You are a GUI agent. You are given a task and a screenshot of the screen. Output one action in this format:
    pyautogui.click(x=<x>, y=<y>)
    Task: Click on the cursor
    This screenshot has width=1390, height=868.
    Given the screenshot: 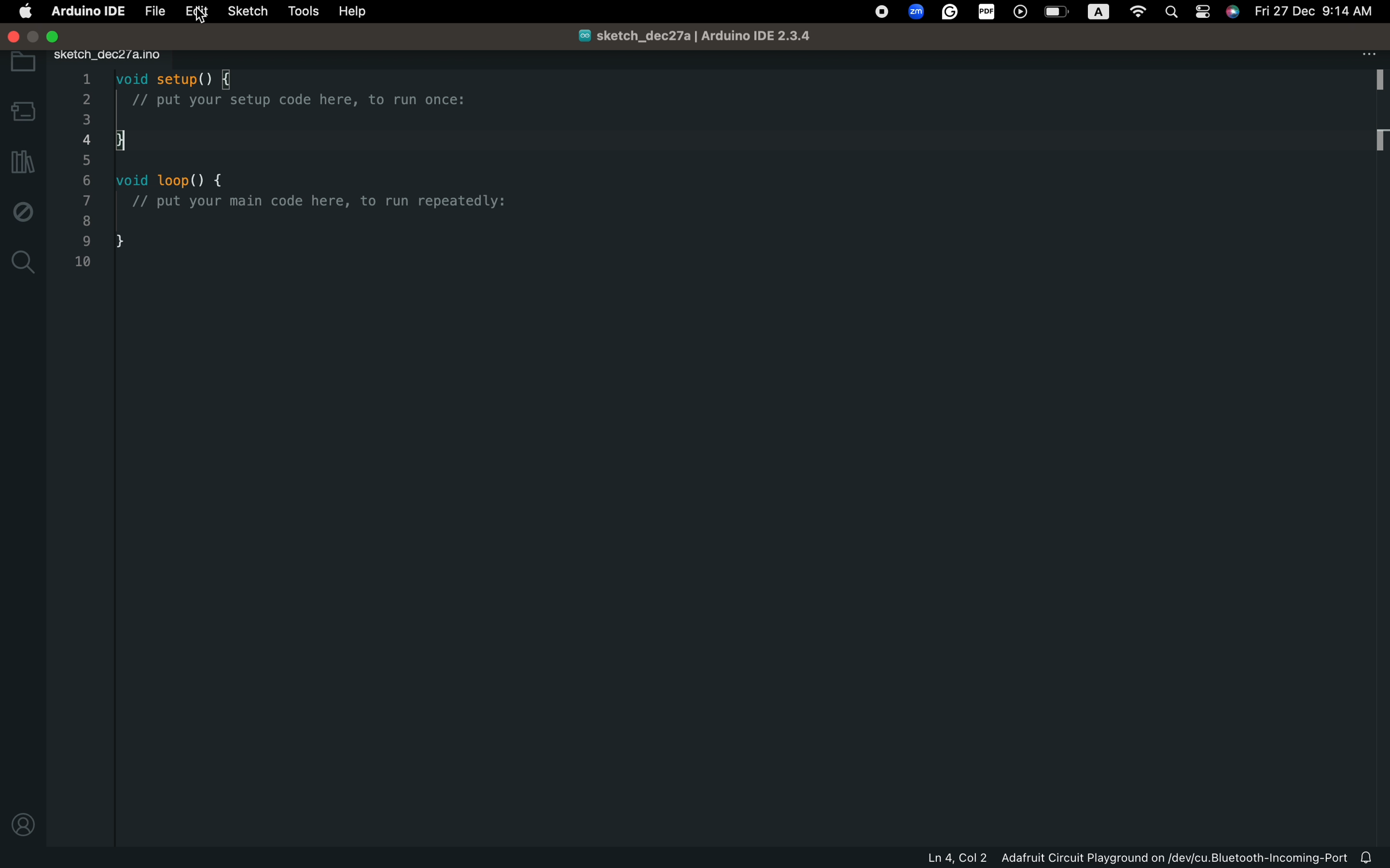 What is the action you would take?
    pyautogui.click(x=200, y=17)
    